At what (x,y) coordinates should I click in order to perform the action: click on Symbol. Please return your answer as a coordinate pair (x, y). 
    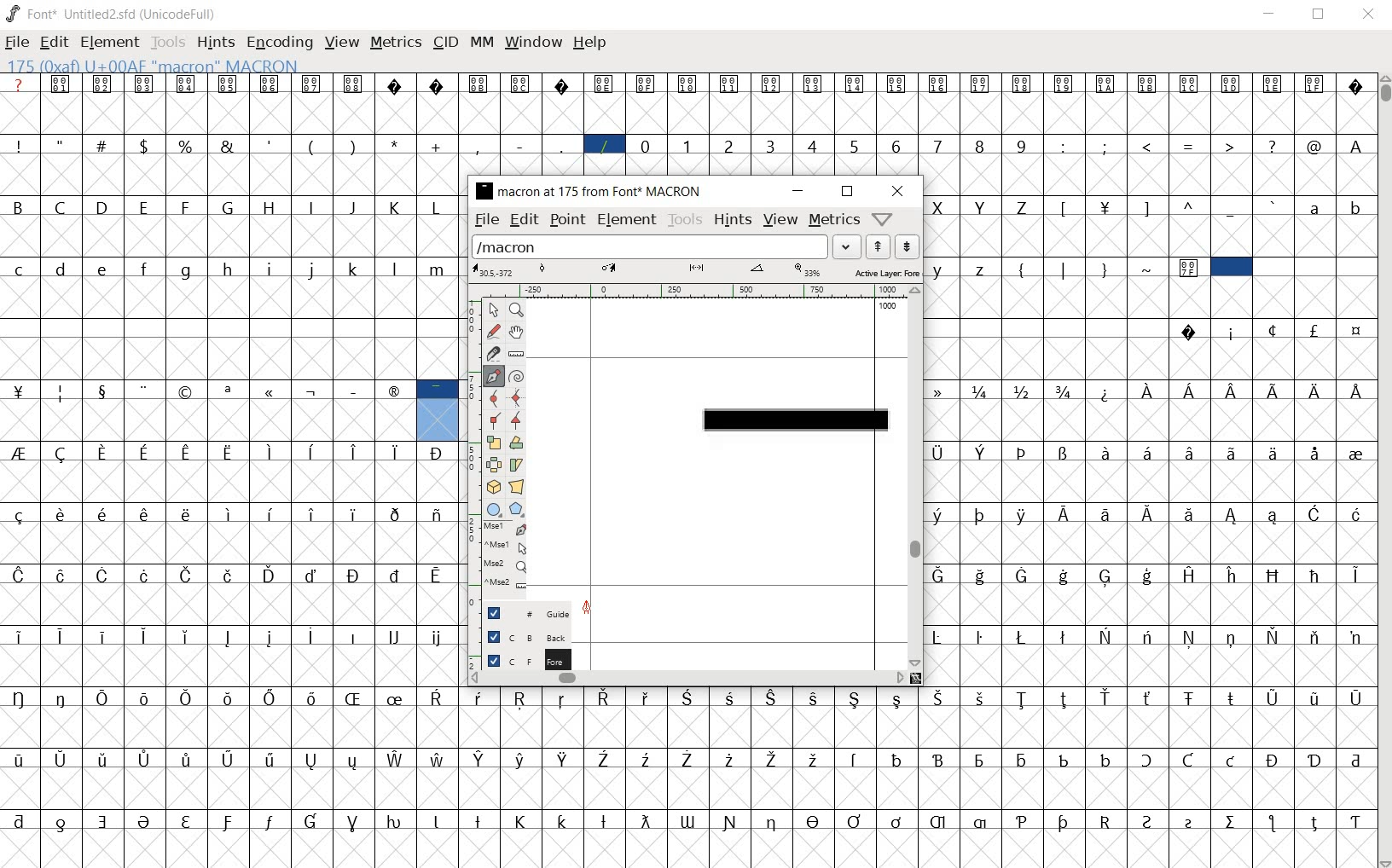
    Looking at the image, I should click on (272, 514).